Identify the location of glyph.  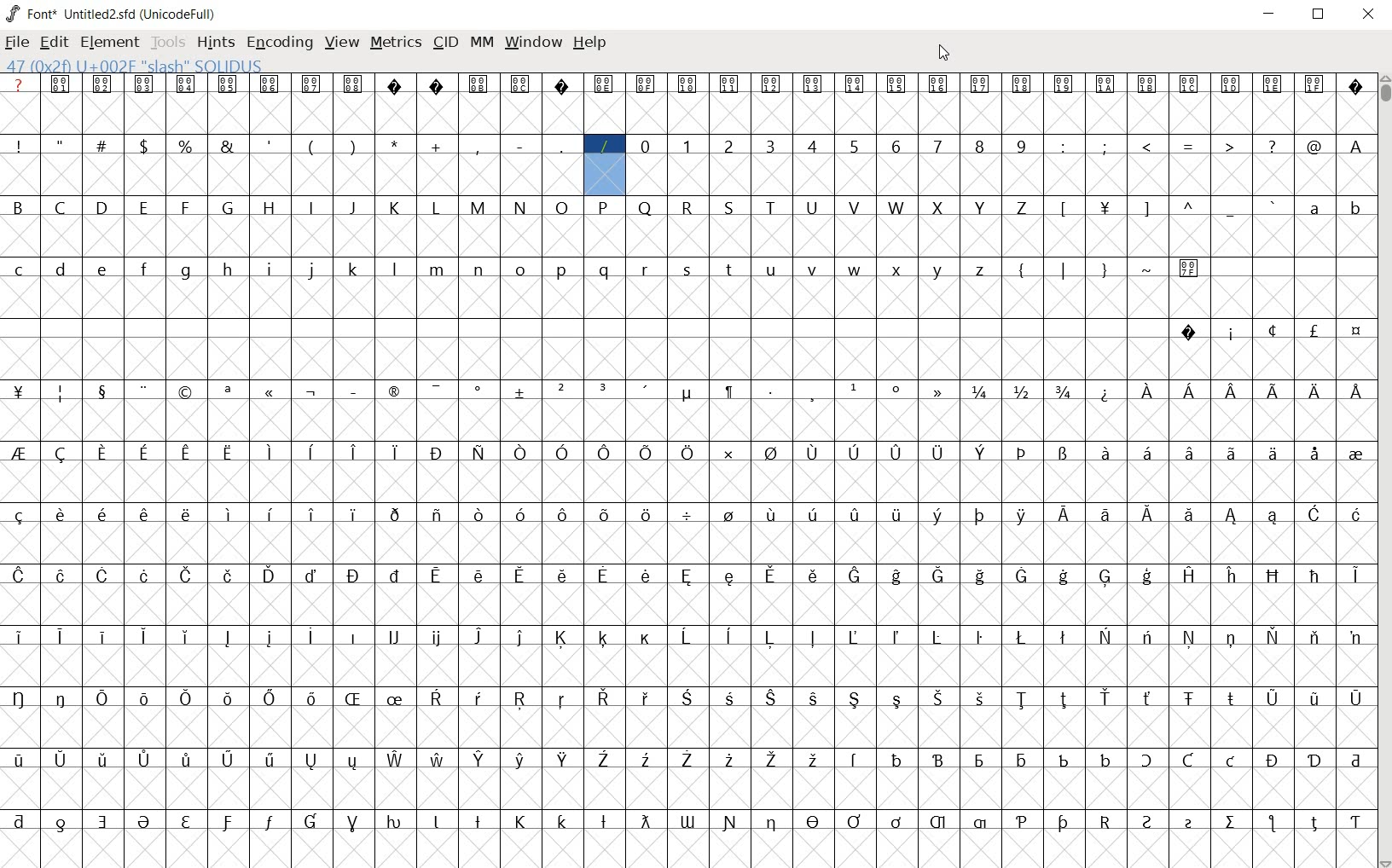
(855, 699).